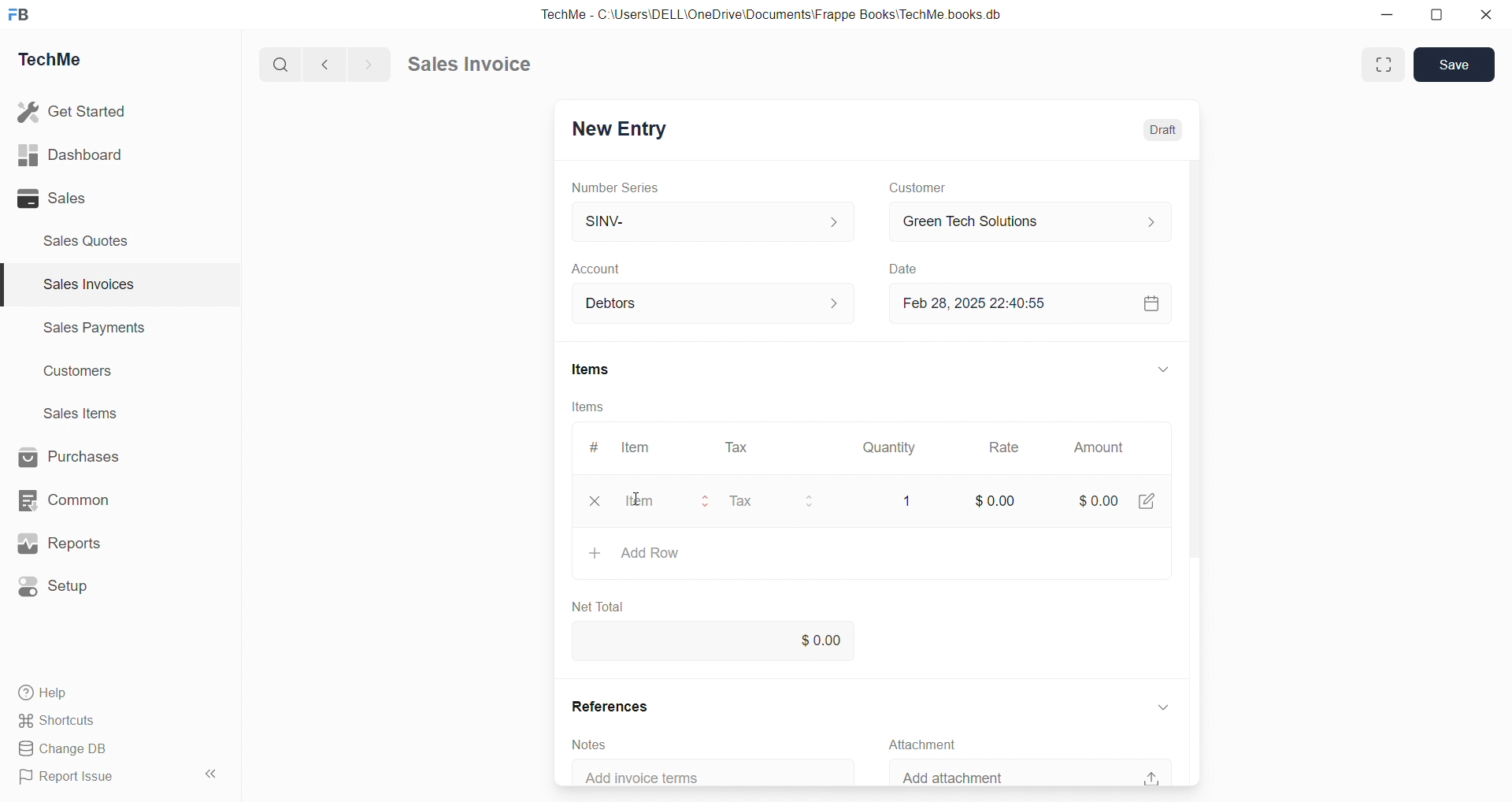 The image size is (1512, 802). What do you see at coordinates (600, 607) in the screenshot?
I see `Net Total` at bounding box center [600, 607].